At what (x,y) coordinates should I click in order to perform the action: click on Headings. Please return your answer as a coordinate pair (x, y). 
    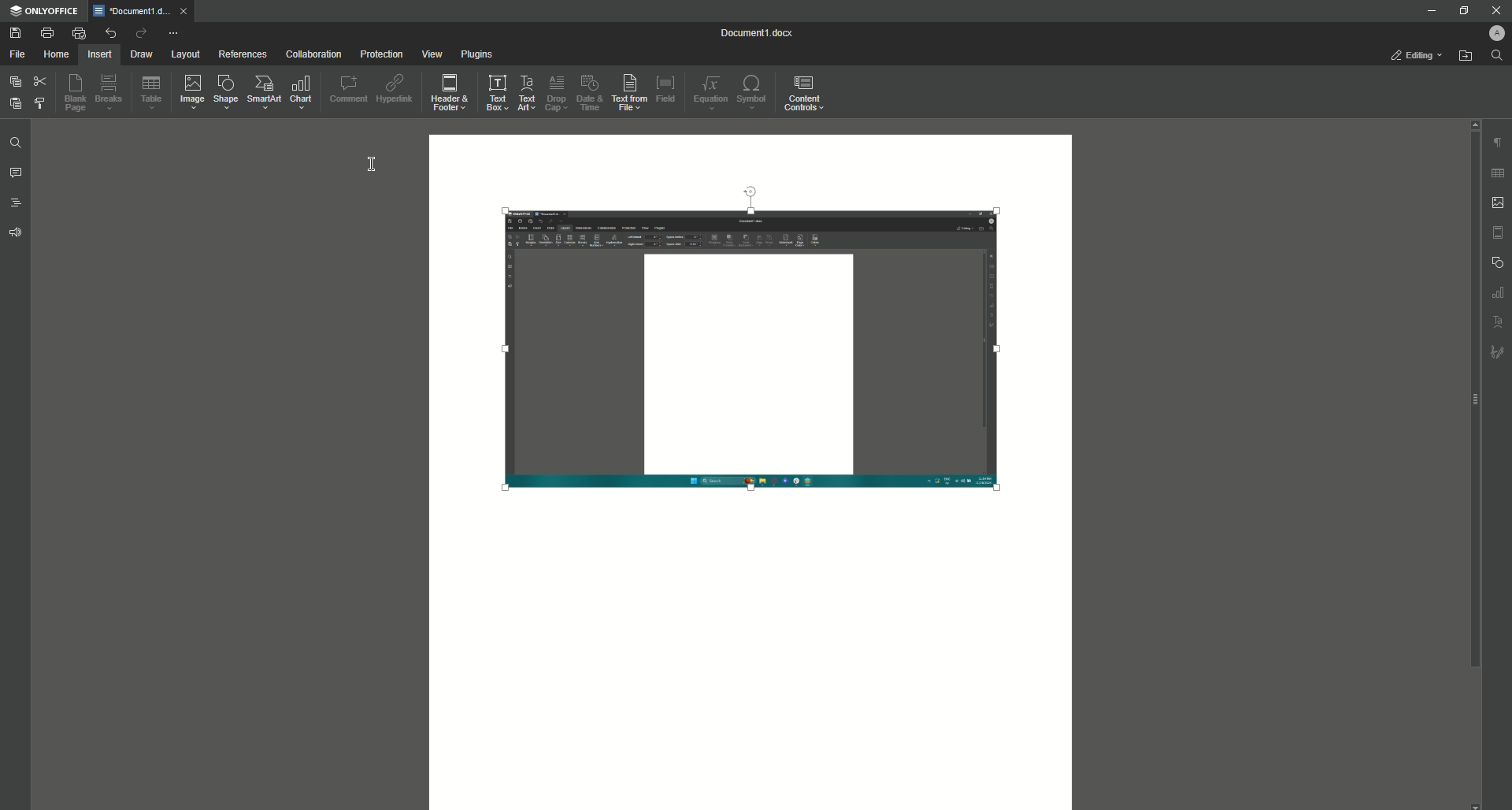
    Looking at the image, I should click on (20, 204).